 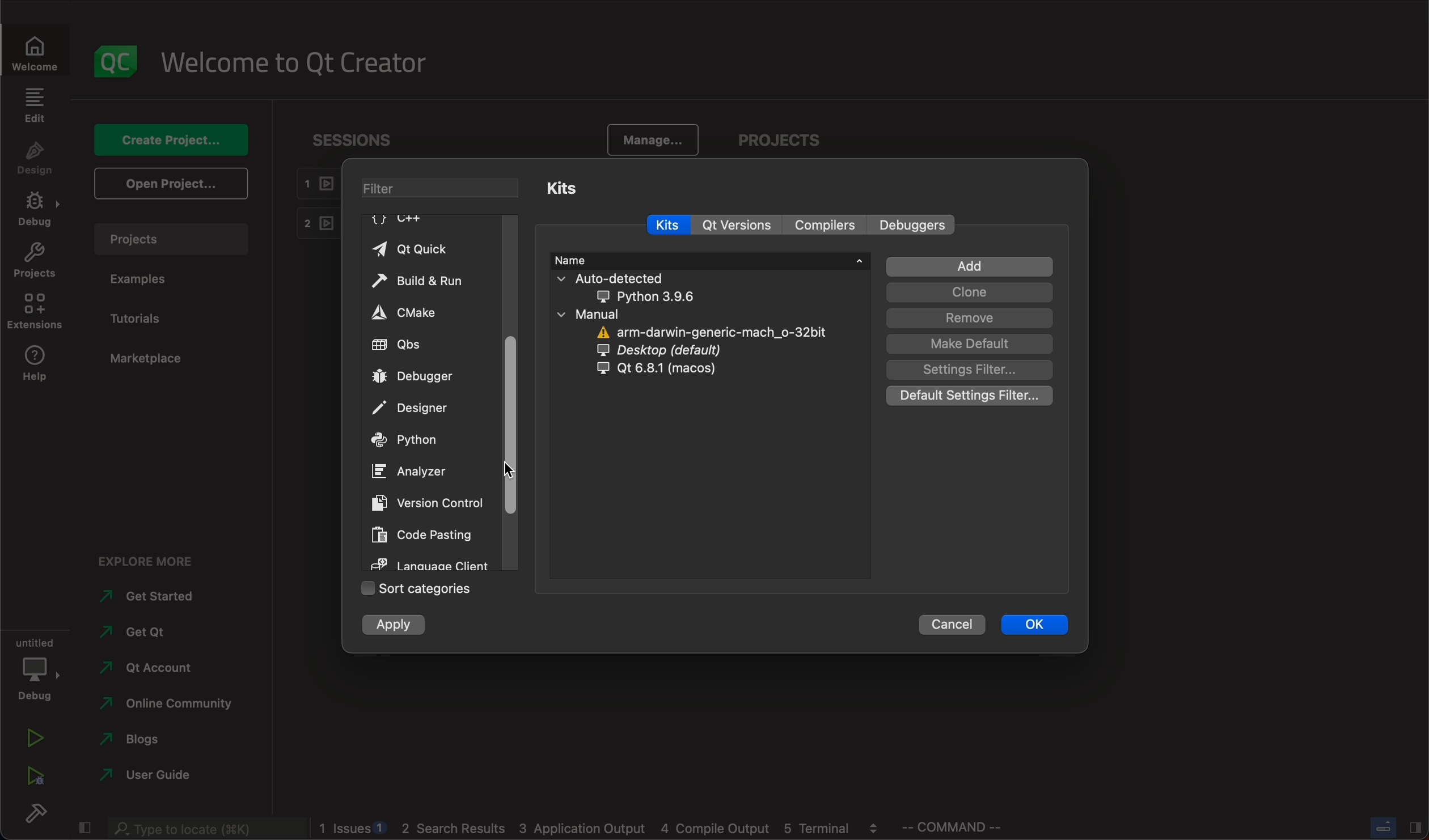 I want to click on logo, so click(x=111, y=62).